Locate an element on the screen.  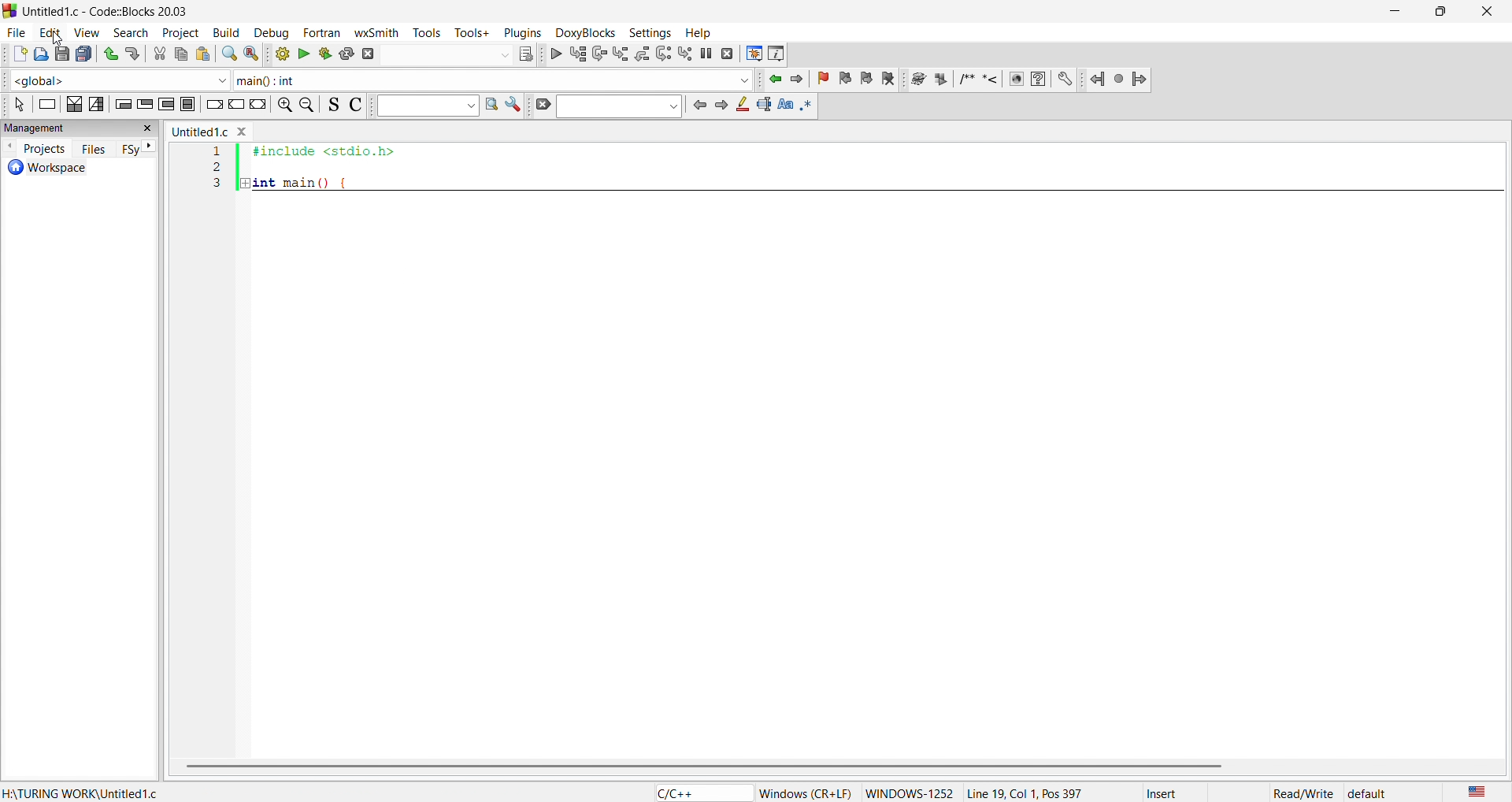
language is located at coordinates (1473, 791).